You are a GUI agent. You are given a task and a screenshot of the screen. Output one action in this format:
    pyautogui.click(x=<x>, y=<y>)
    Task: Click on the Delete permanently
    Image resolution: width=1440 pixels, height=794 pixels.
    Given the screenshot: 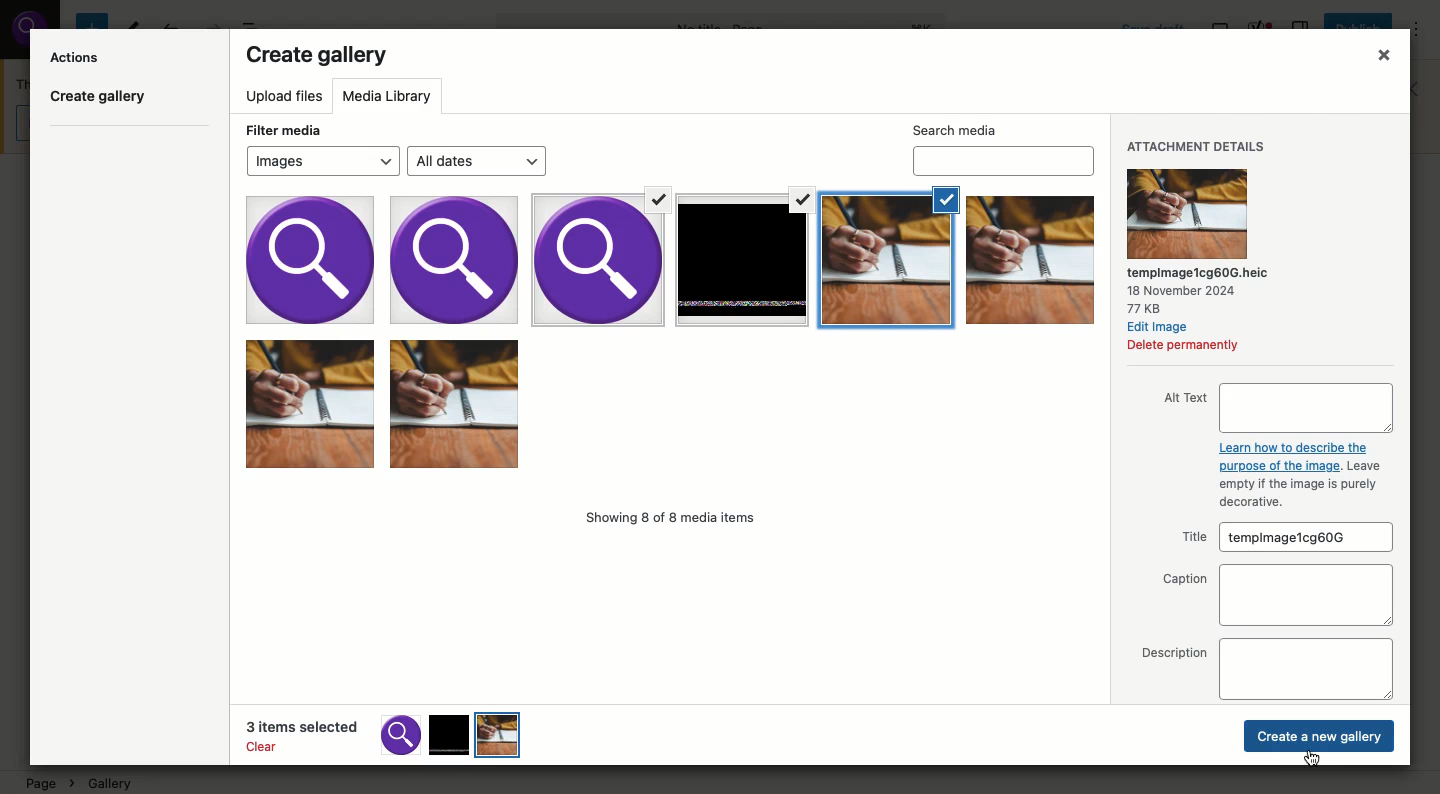 What is the action you would take?
    pyautogui.click(x=1190, y=346)
    